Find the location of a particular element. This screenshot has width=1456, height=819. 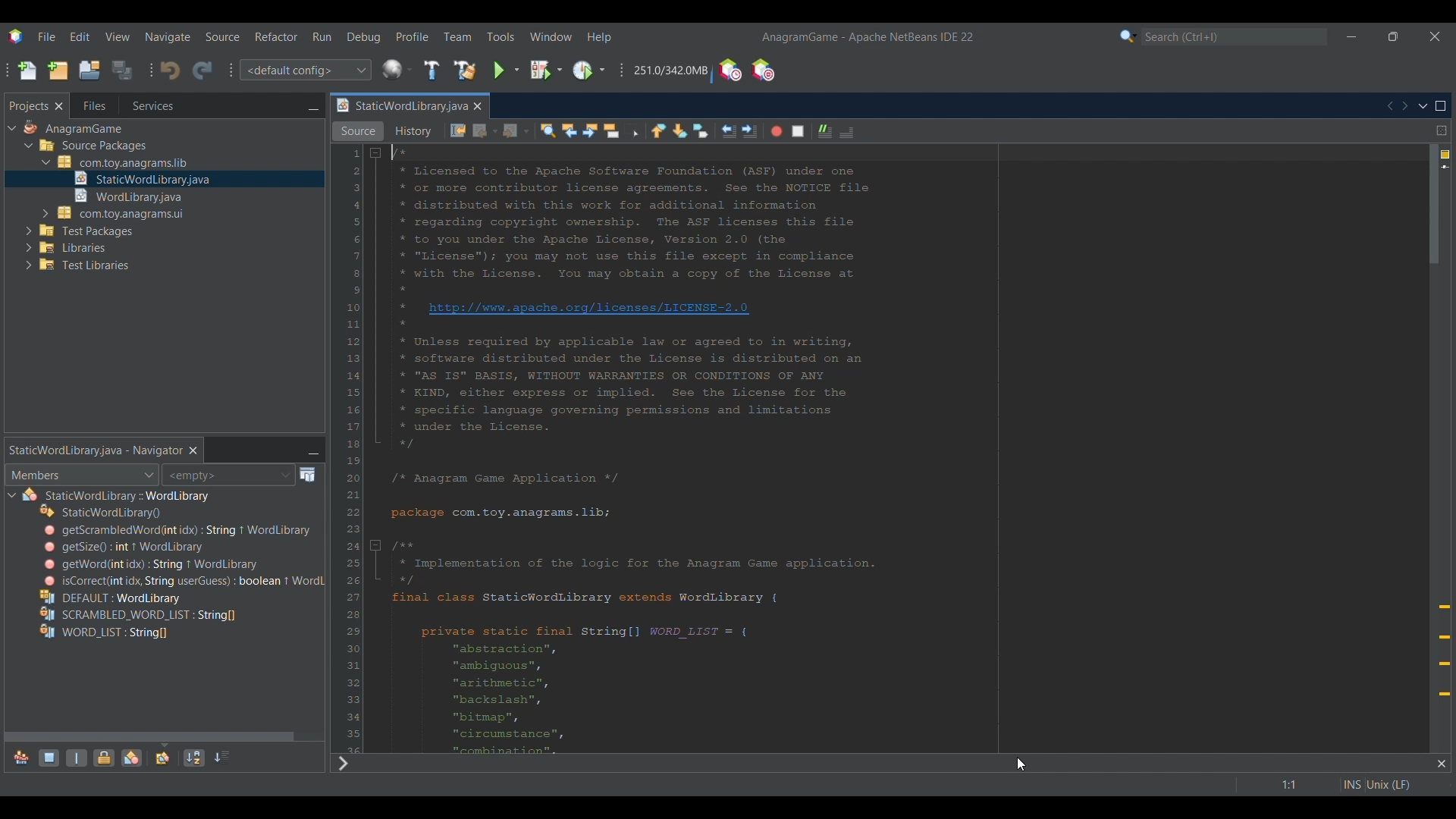

Profile UDE is located at coordinates (730, 70).